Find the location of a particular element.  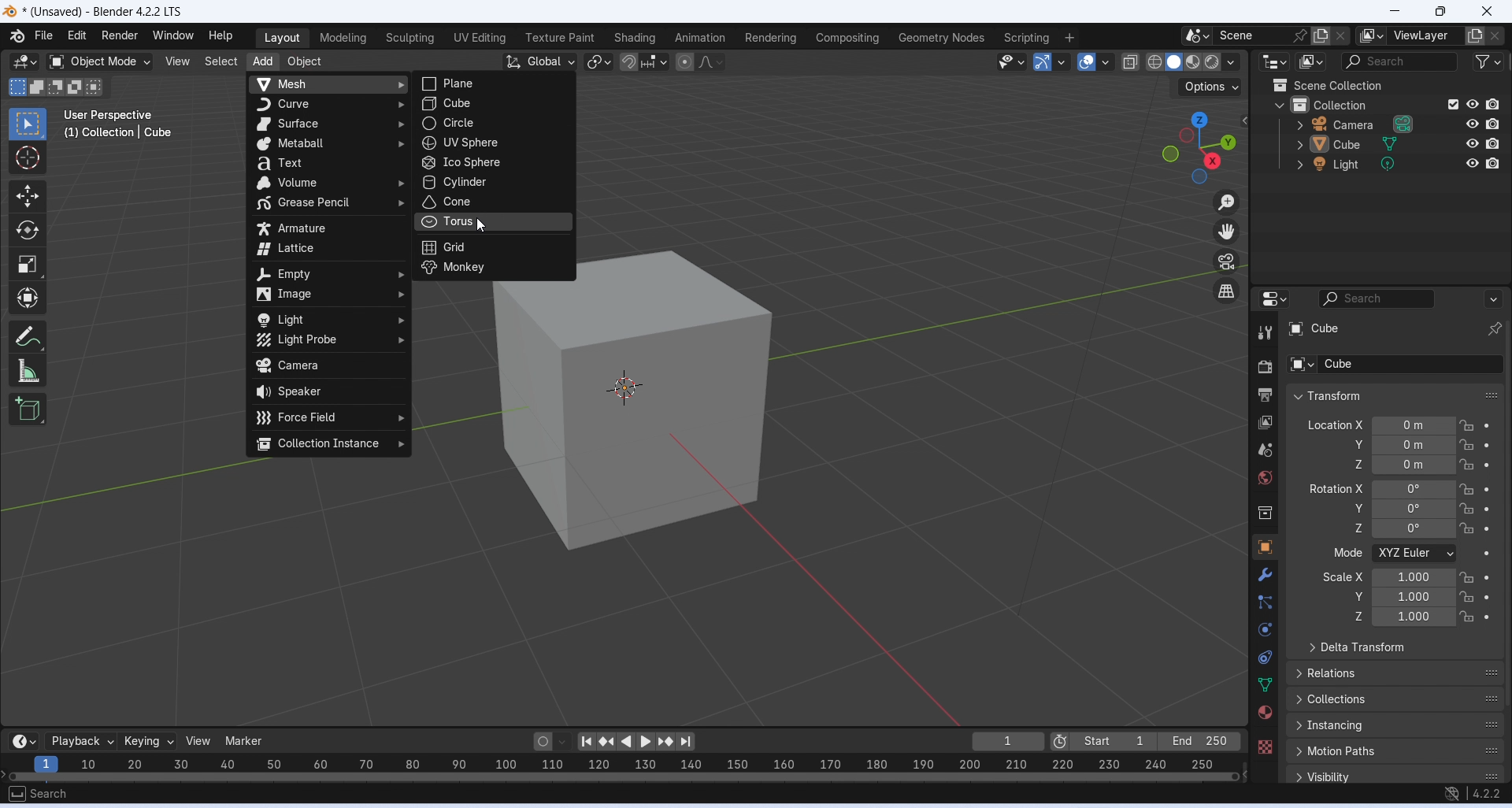

Light layer is located at coordinates (1395, 164).